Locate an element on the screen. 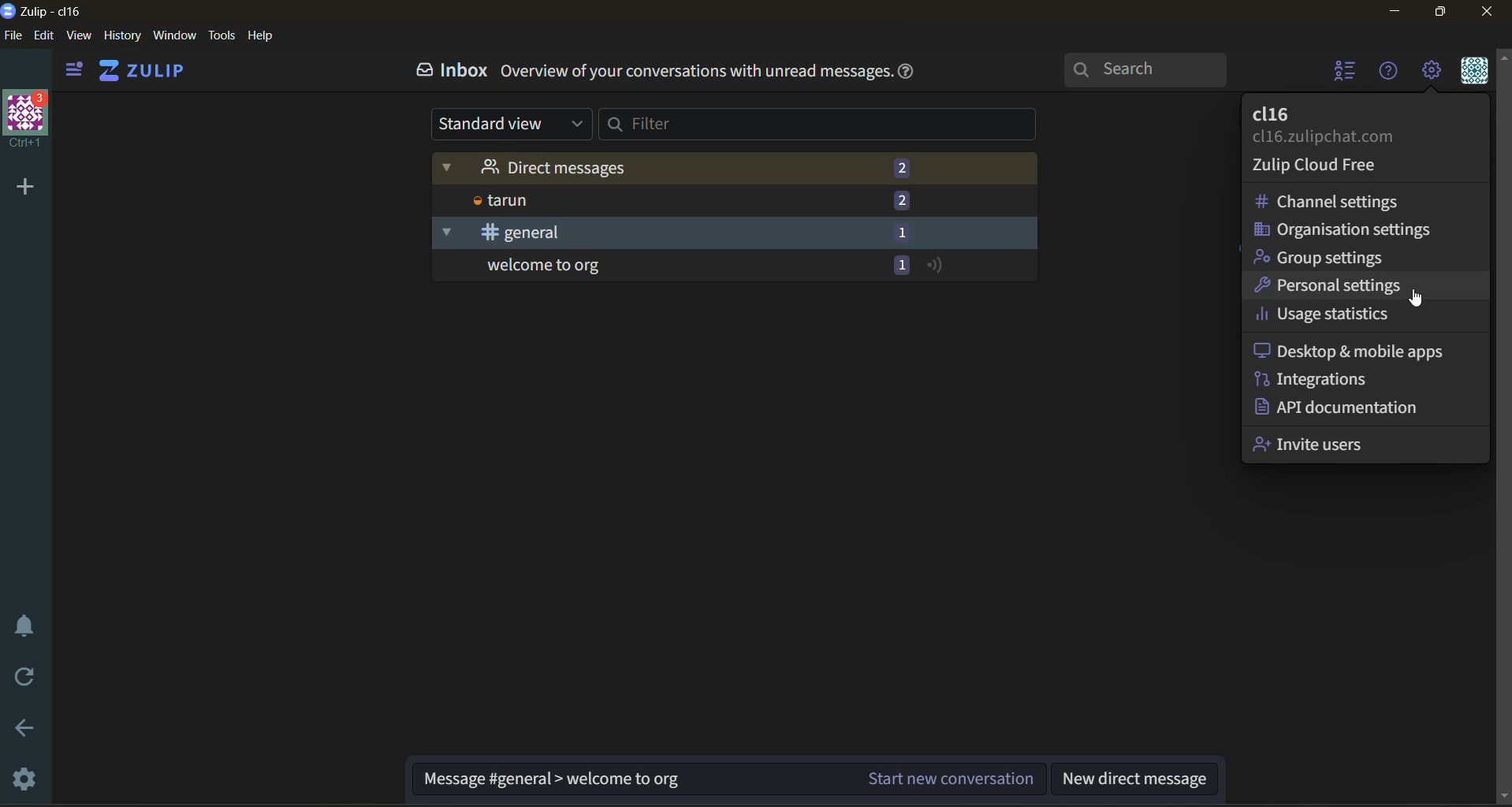  welcome to org is located at coordinates (655, 265).